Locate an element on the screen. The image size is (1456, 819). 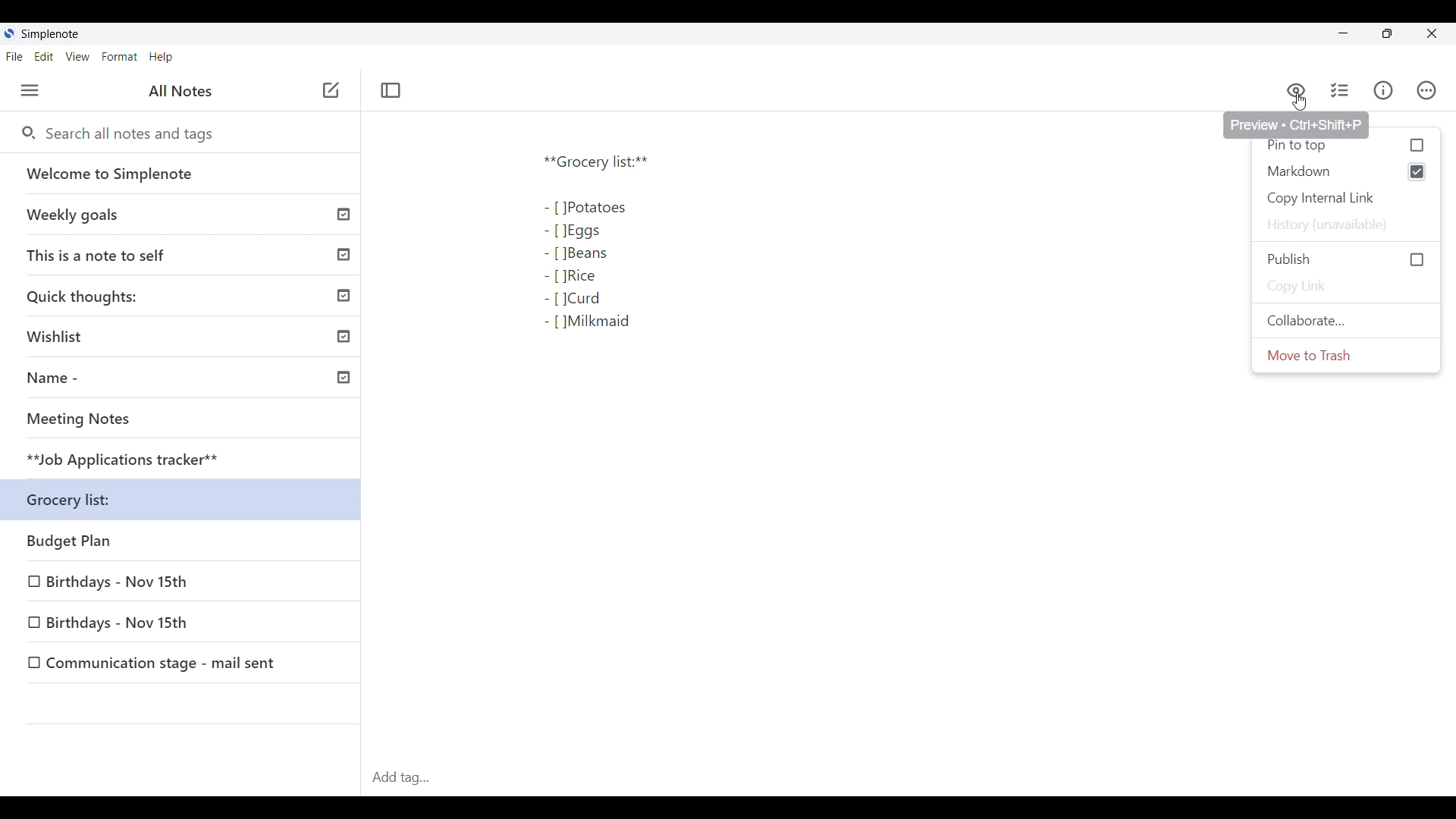
**Grocery list:** -[]Potatoes -[]Eggs -[]Beans -[]Rice -[]Curd -[]Milkmaid is located at coordinates (637, 256).